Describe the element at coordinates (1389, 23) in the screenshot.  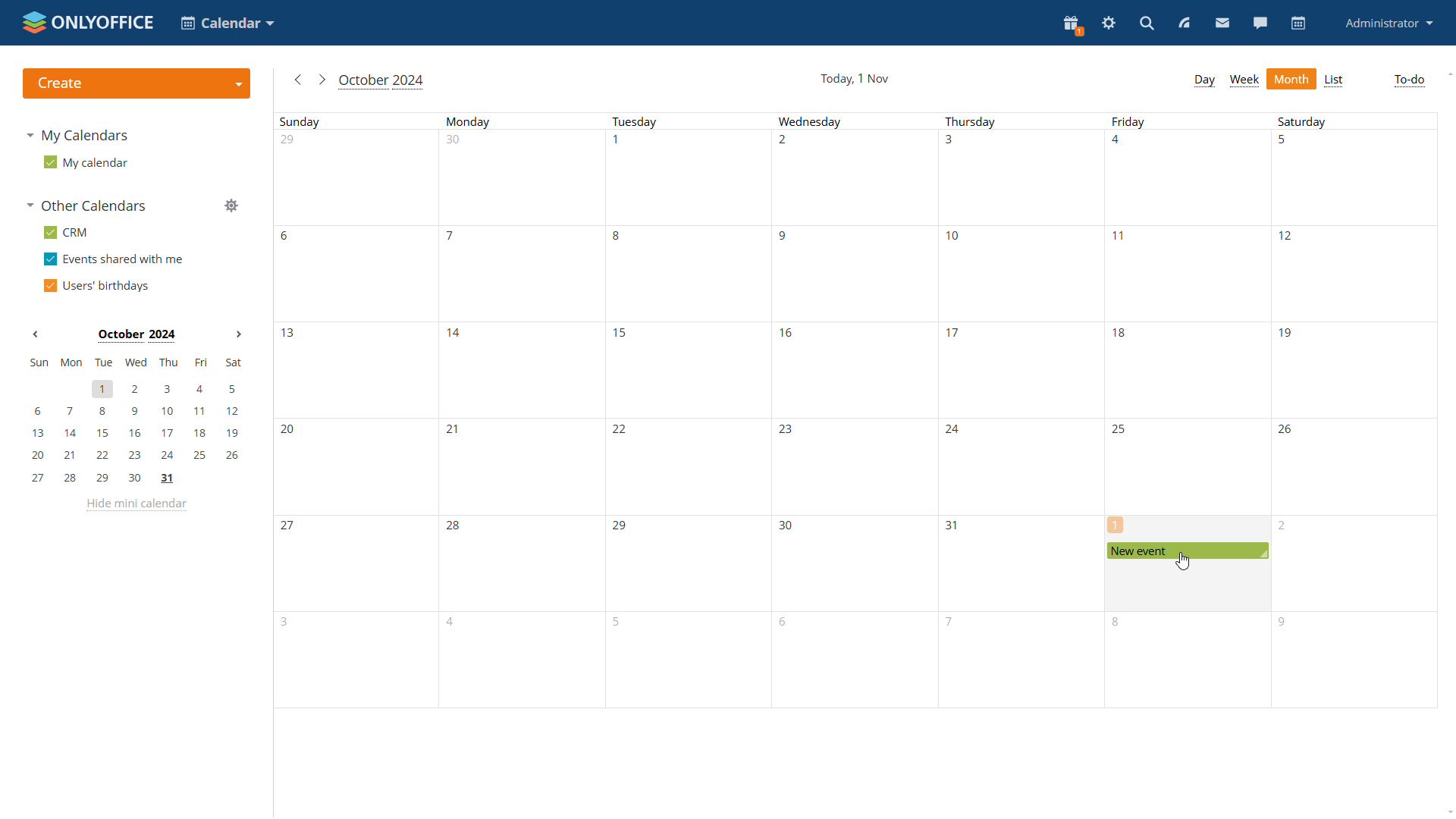
I see `administrator` at that location.